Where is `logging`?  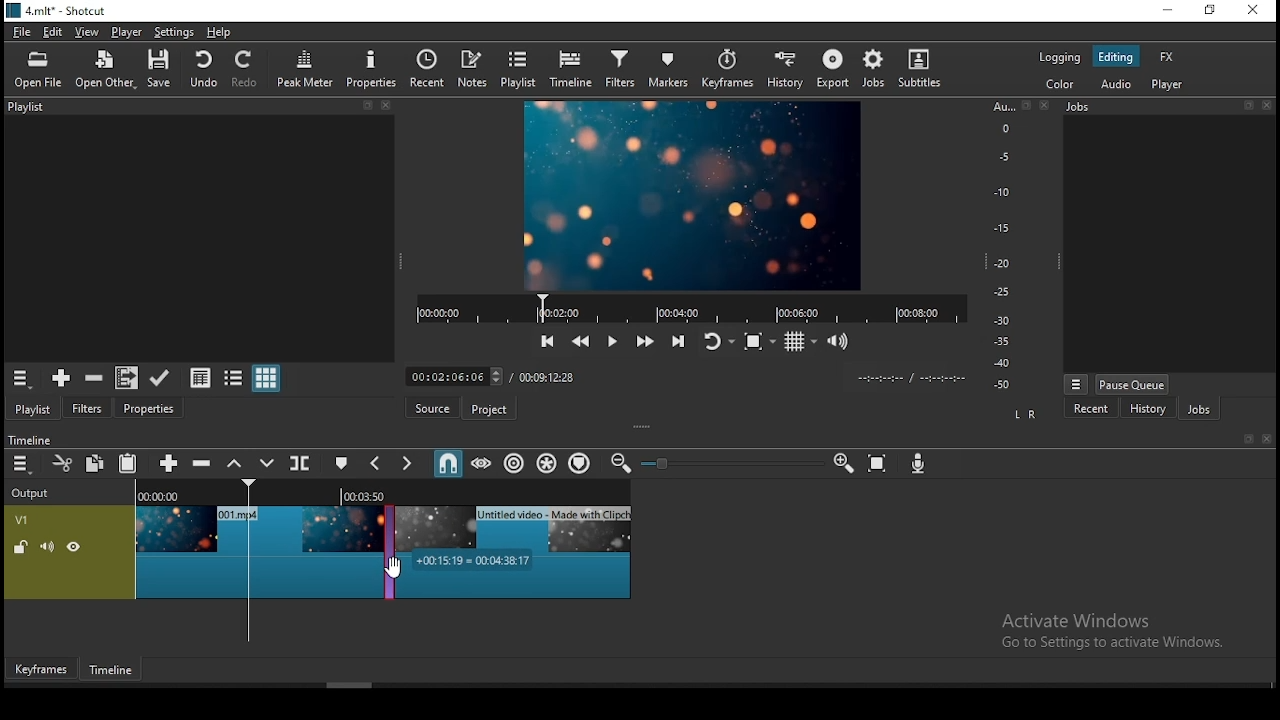 logging is located at coordinates (1059, 58).